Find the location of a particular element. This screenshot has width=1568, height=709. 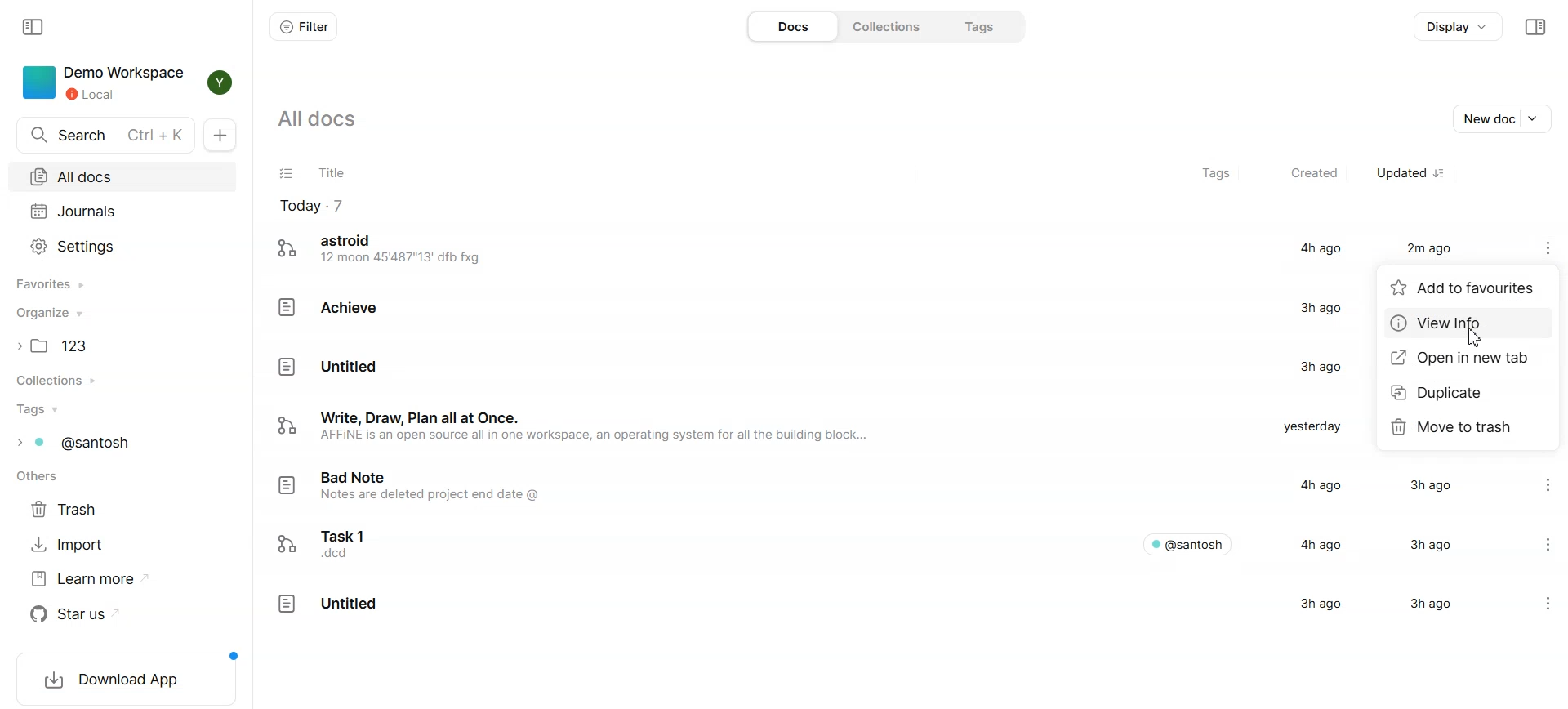

Tags is located at coordinates (982, 27).